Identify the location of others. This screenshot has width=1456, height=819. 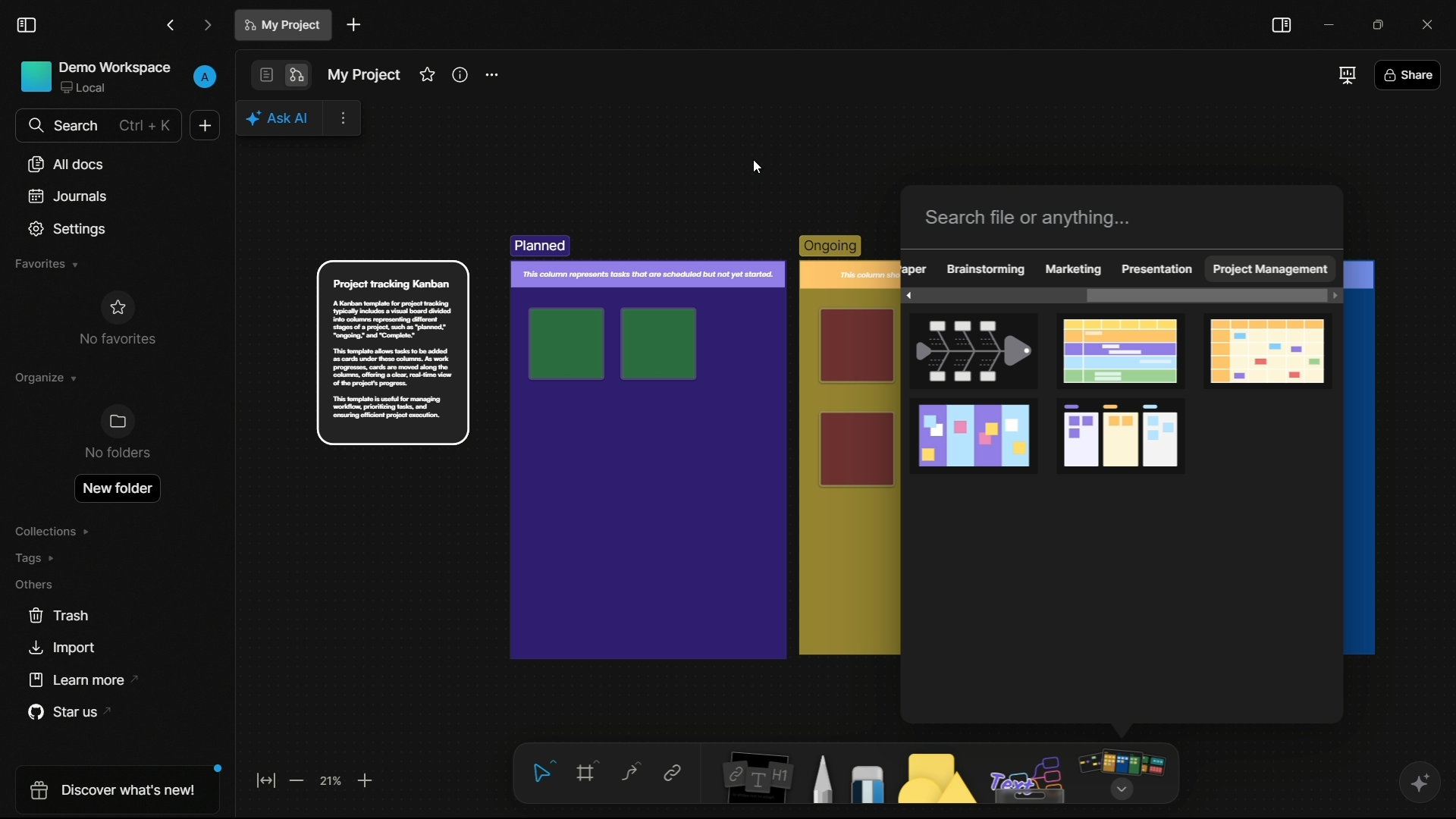
(1029, 780).